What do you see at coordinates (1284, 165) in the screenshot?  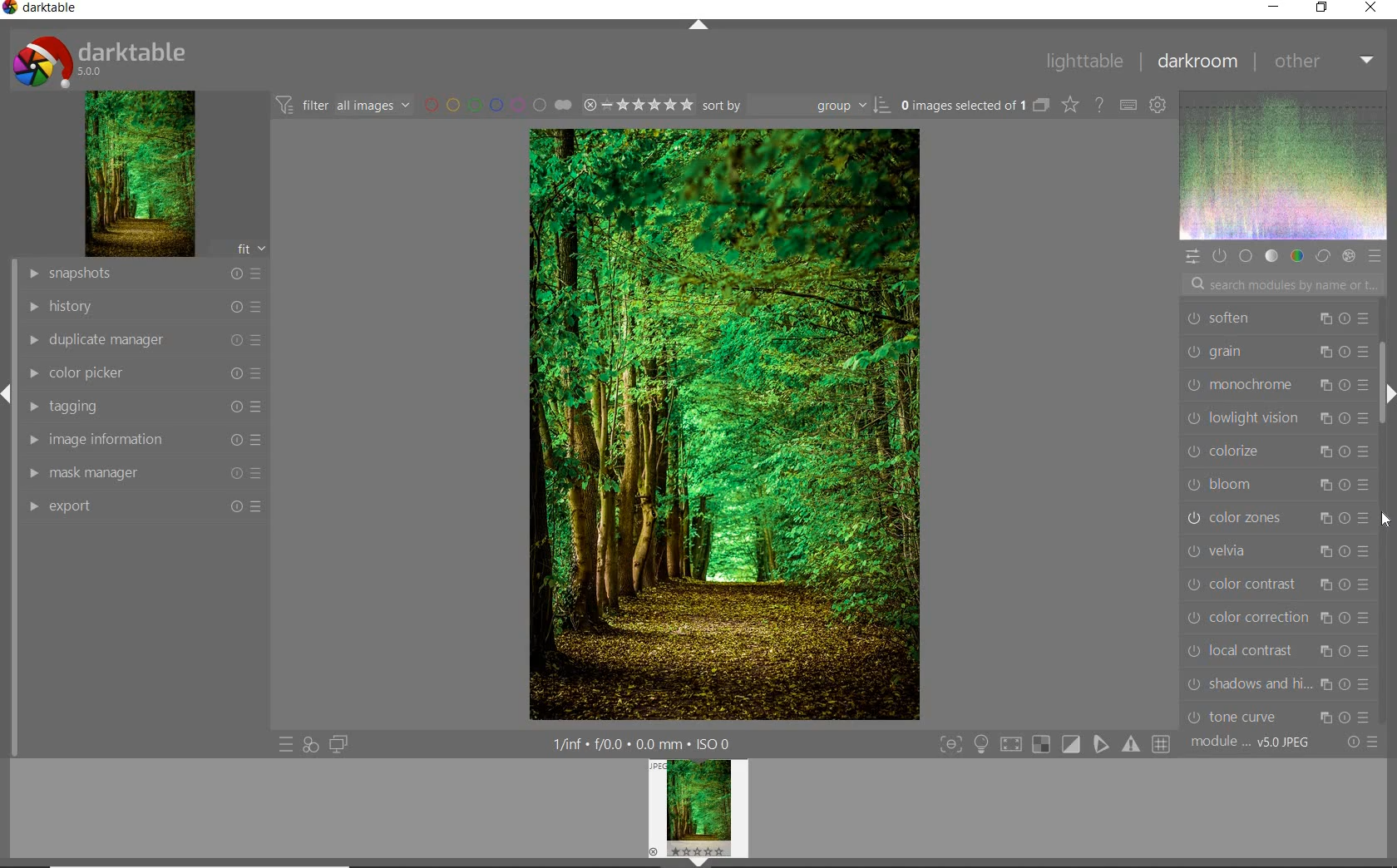 I see `WAVEFORM` at bounding box center [1284, 165].